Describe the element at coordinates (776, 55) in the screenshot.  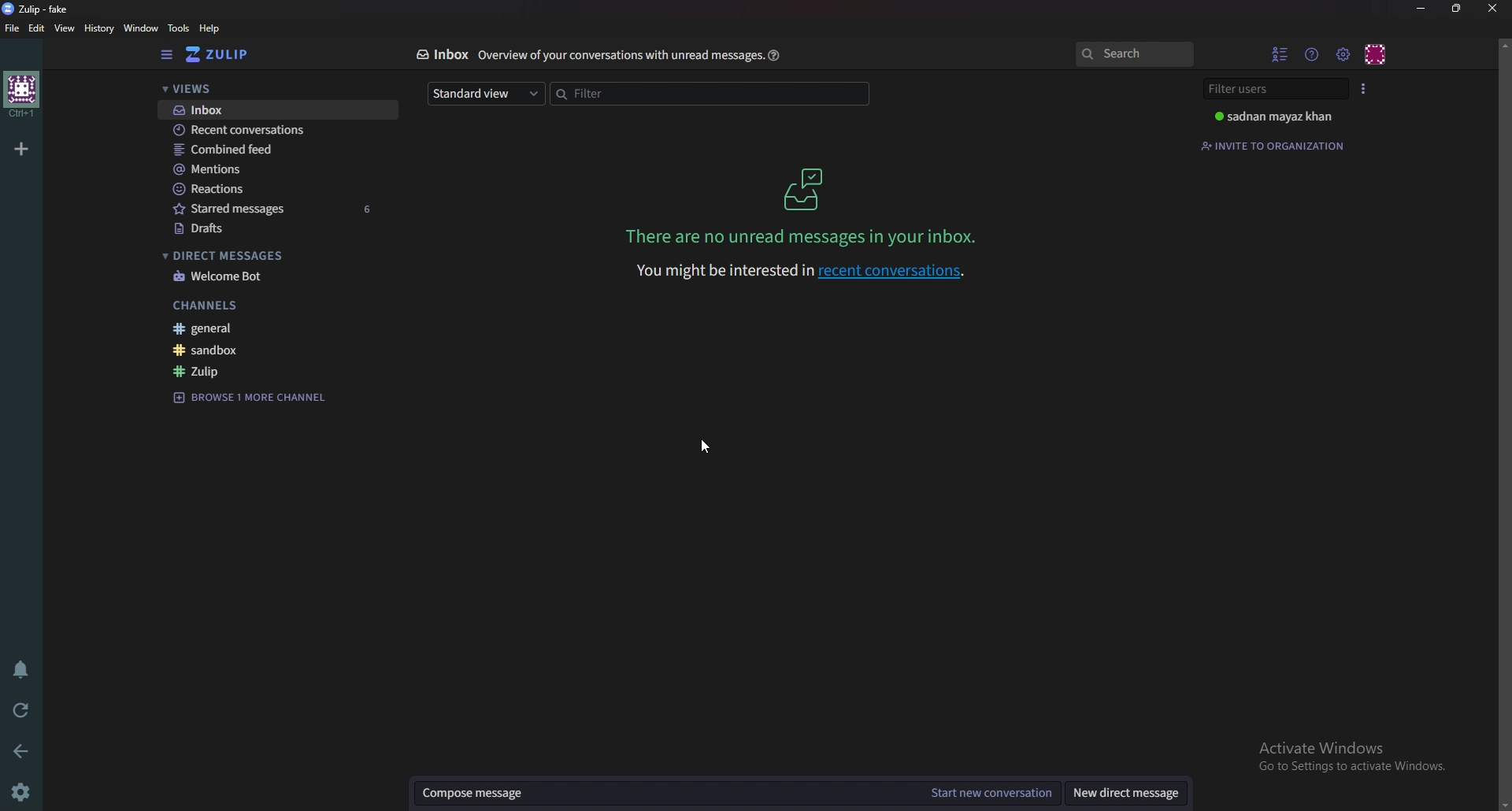
I see `help` at that location.